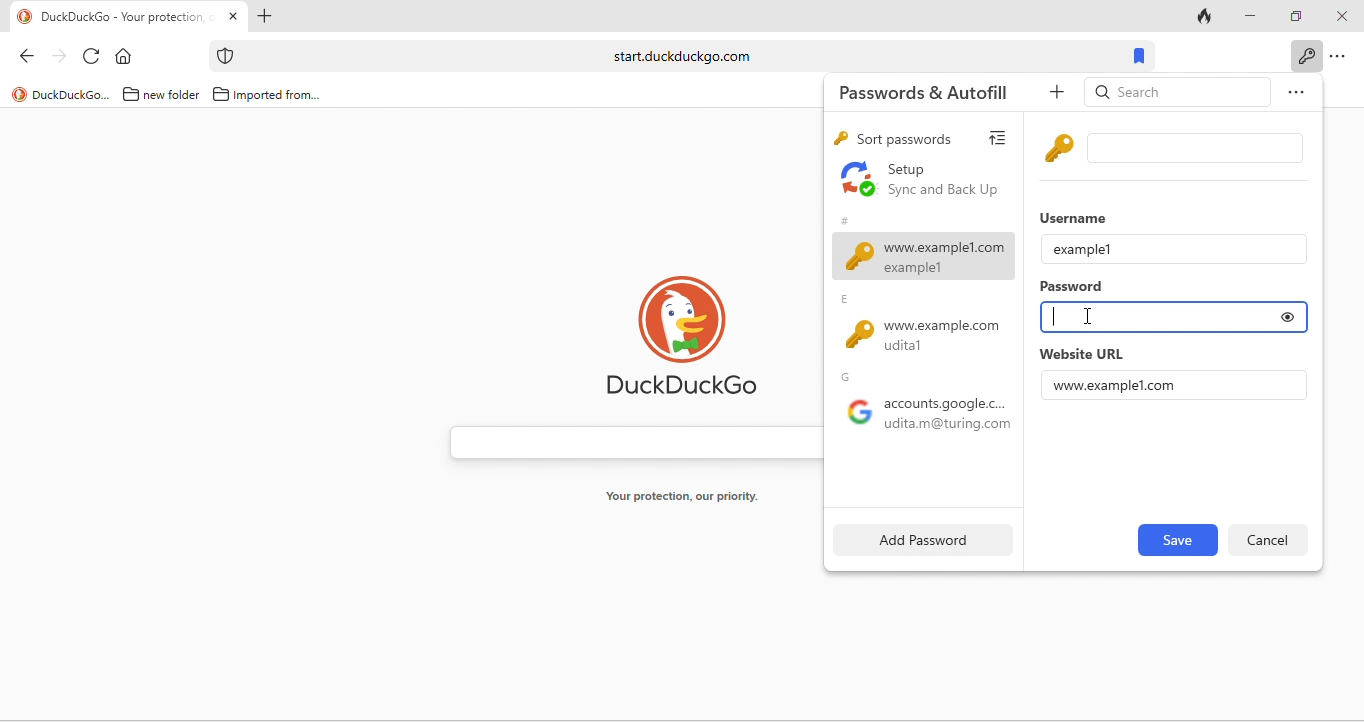 This screenshot has width=1364, height=722. Describe the element at coordinates (919, 539) in the screenshot. I see `add password` at that location.